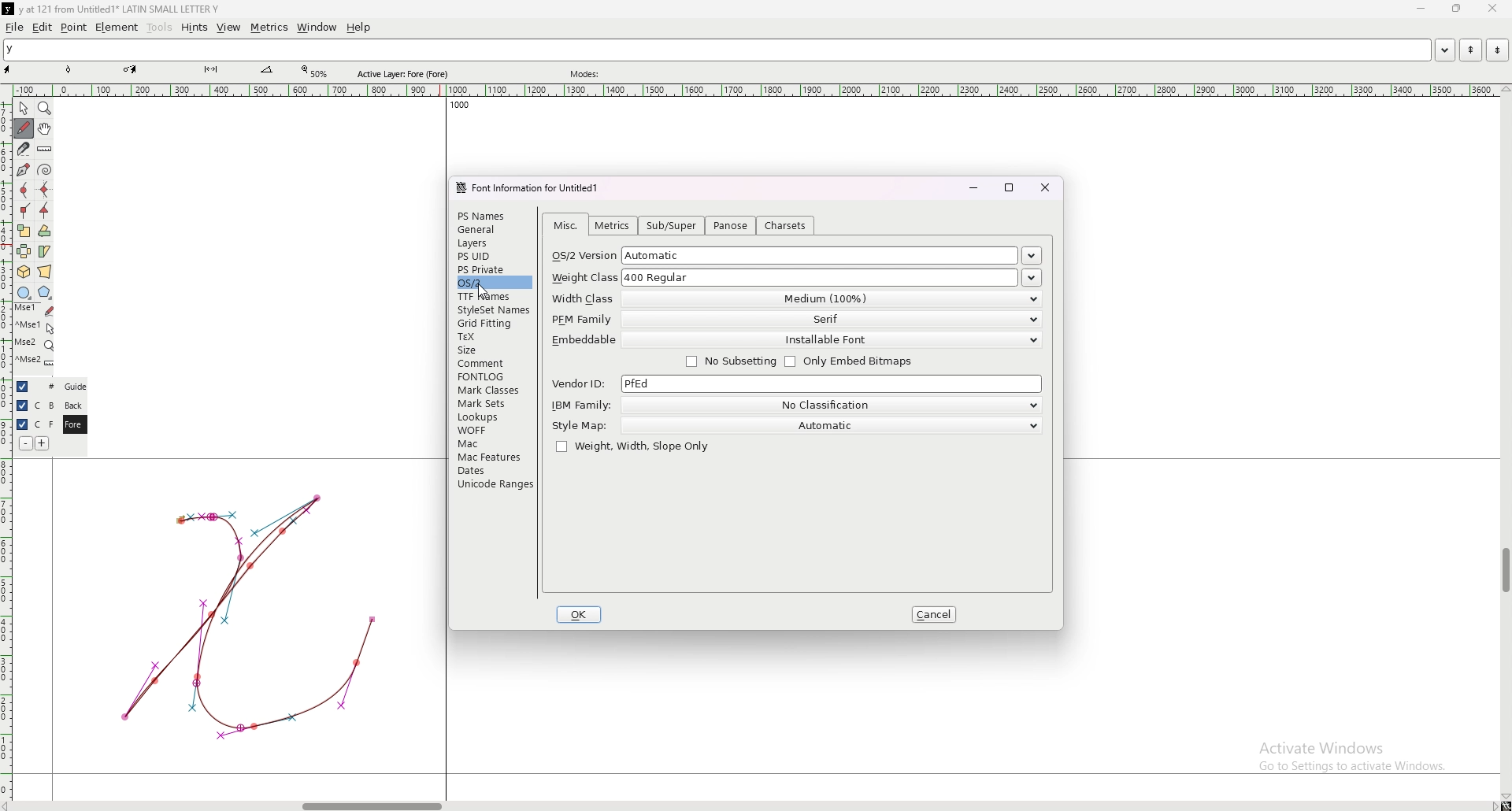  Describe the element at coordinates (494, 231) in the screenshot. I see `general` at that location.